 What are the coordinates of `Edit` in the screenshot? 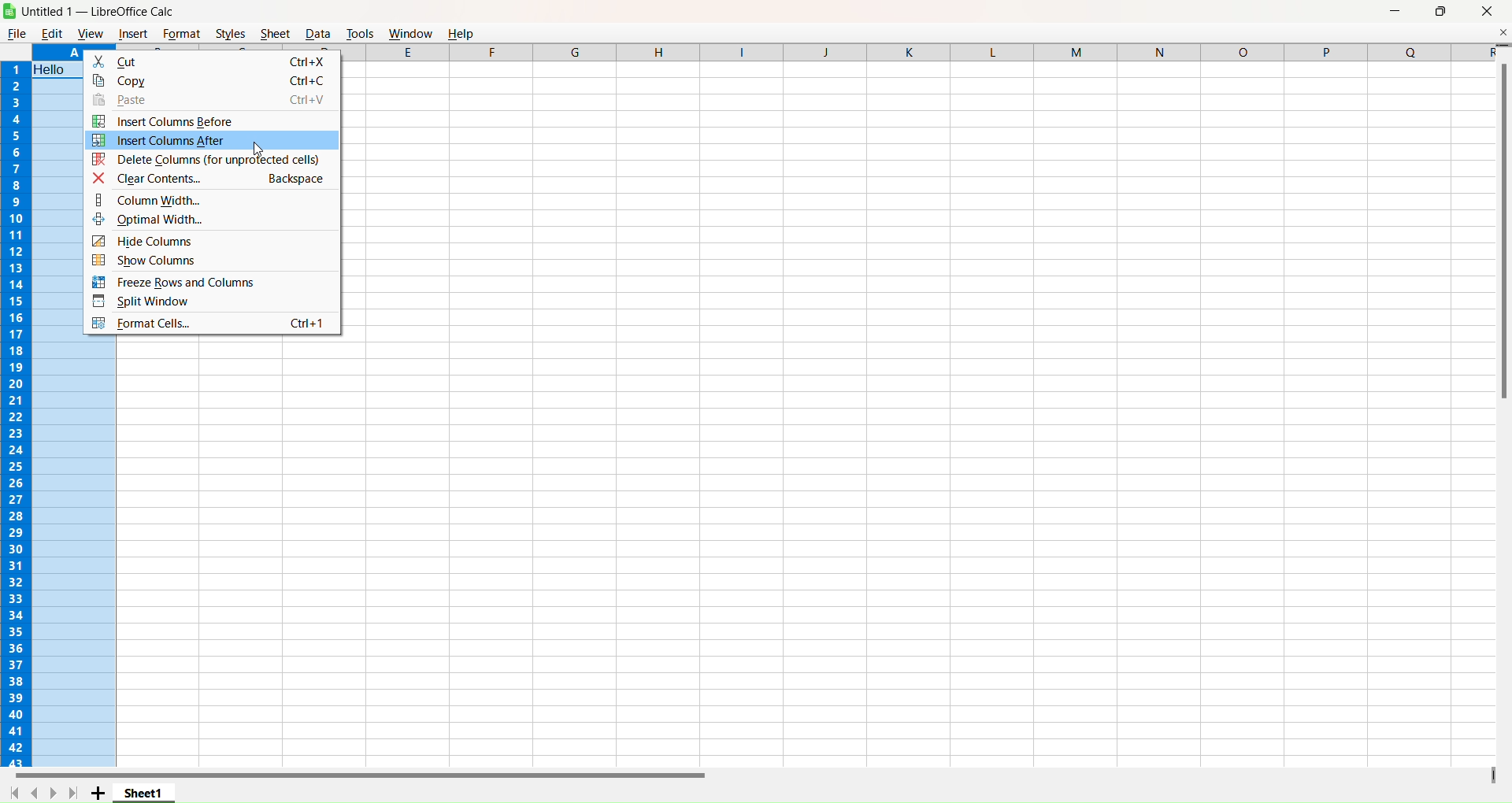 It's located at (52, 33).